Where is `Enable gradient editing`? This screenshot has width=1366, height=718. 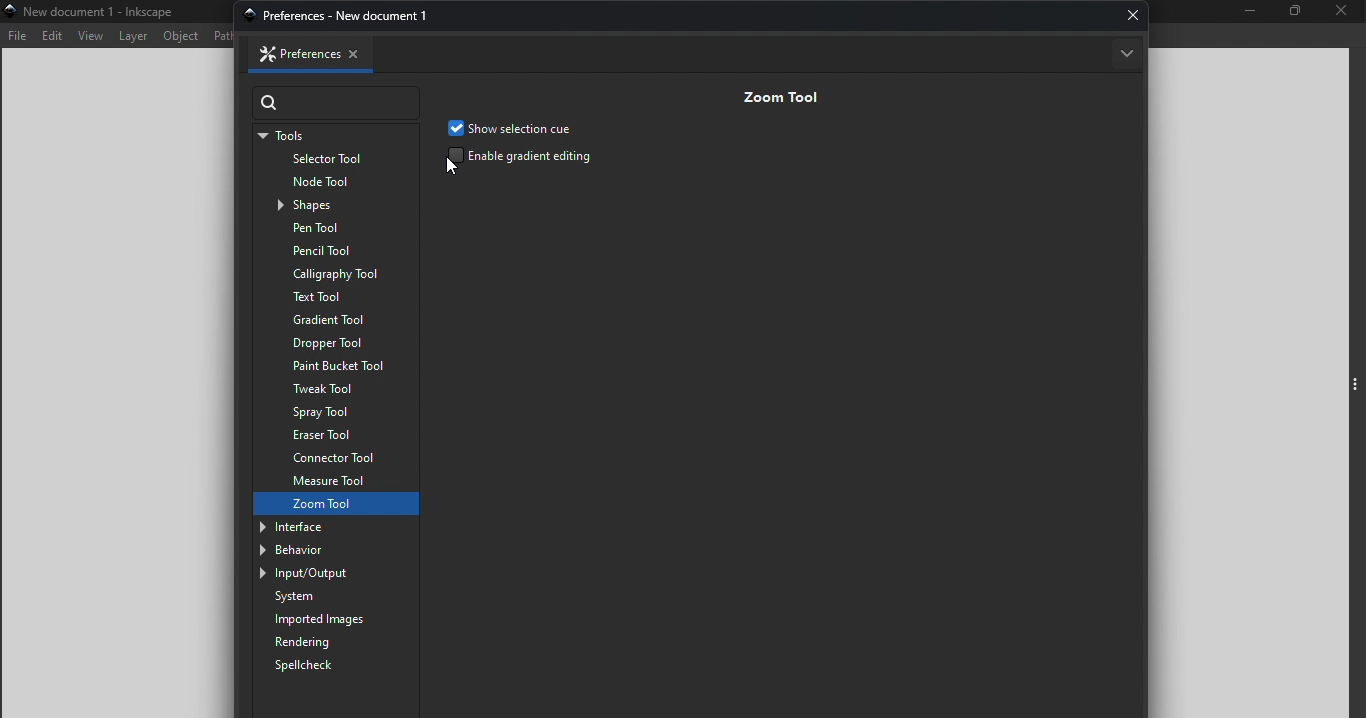 Enable gradient editing is located at coordinates (523, 159).